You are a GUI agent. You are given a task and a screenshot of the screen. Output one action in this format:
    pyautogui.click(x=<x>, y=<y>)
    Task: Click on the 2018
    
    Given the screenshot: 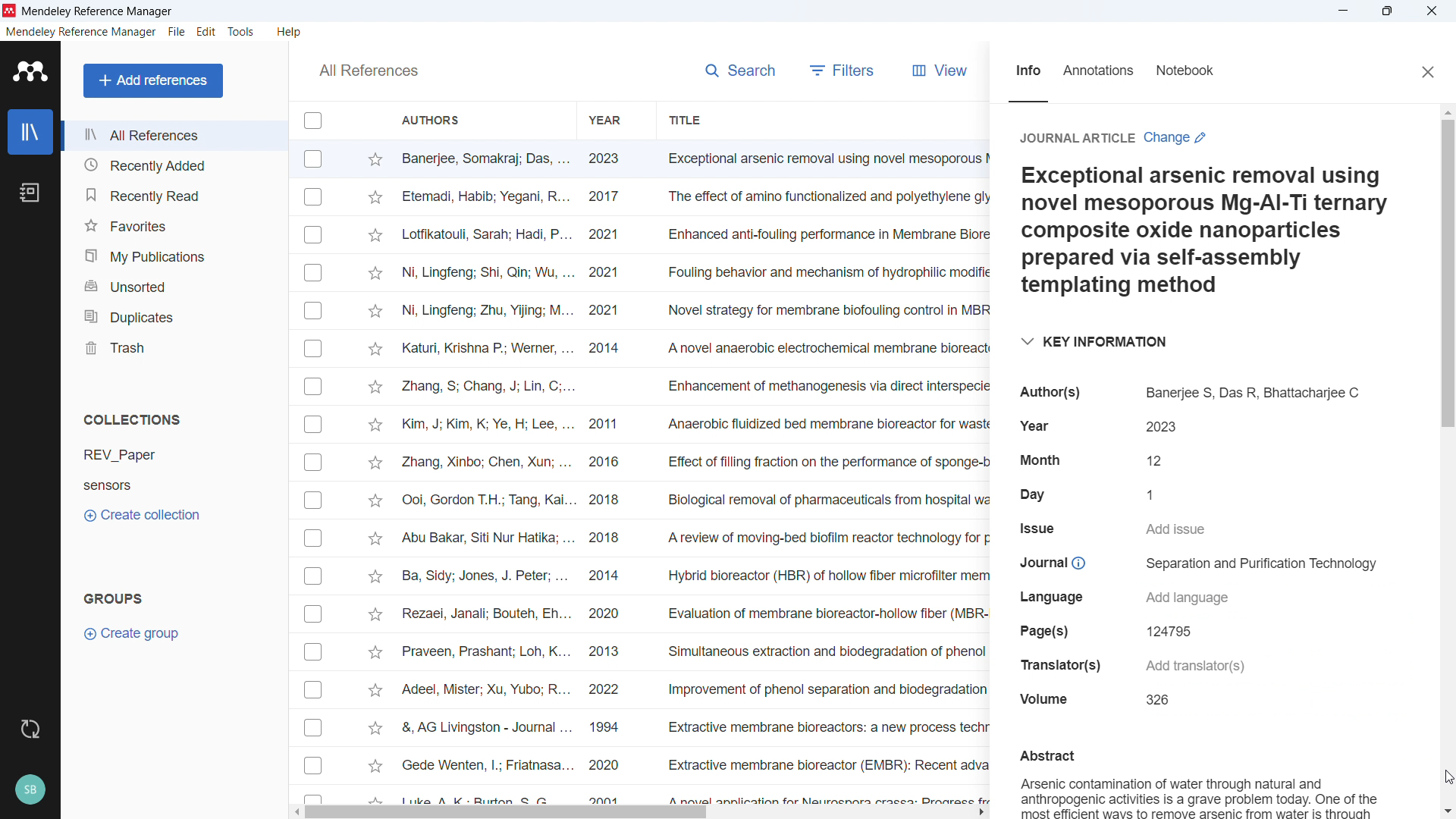 What is the action you would take?
    pyautogui.click(x=613, y=538)
    